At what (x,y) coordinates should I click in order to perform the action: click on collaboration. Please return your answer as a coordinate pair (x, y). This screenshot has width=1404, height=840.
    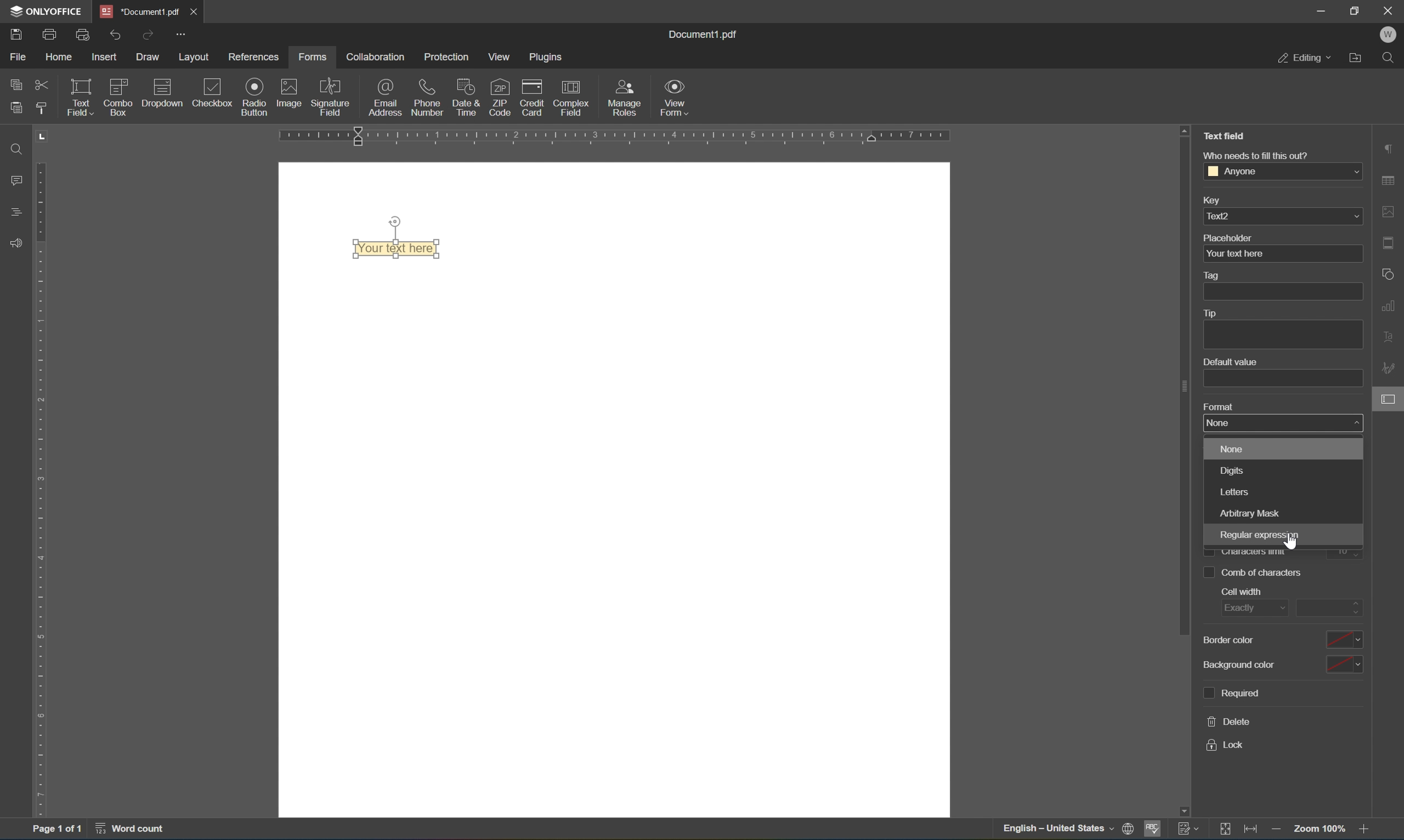
    Looking at the image, I should click on (378, 58).